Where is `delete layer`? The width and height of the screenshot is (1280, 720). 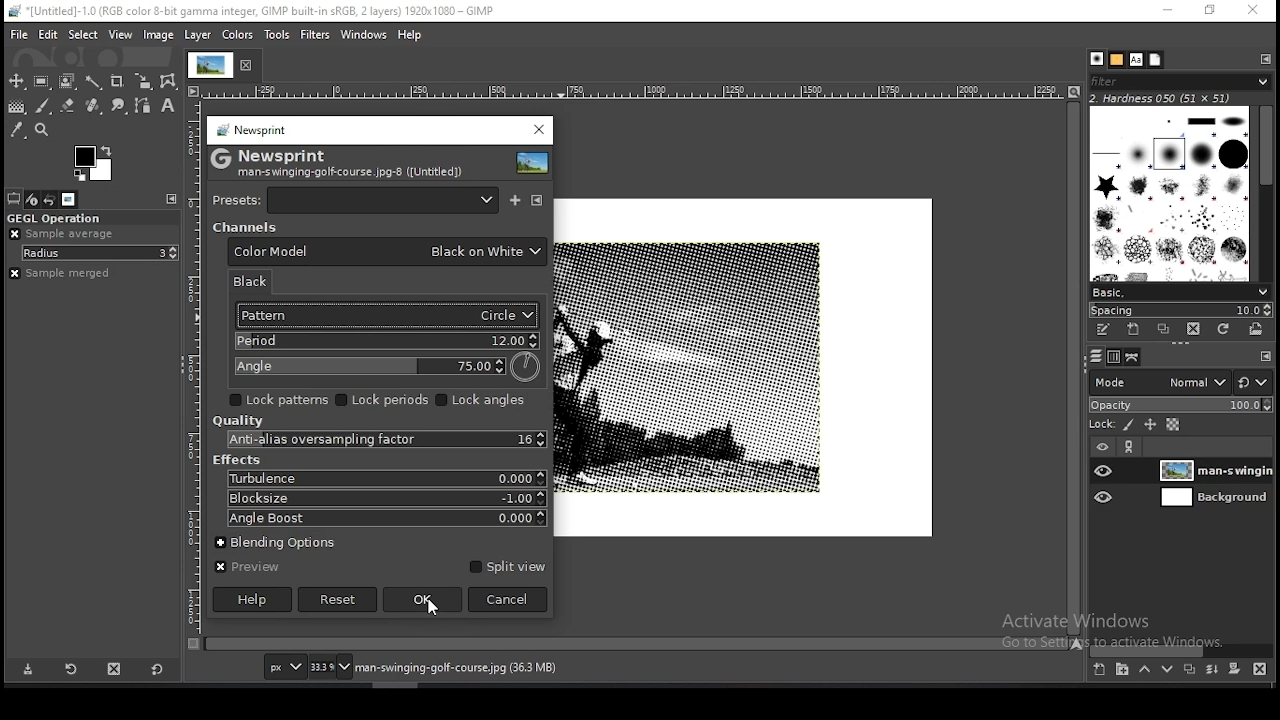
delete layer is located at coordinates (1264, 669).